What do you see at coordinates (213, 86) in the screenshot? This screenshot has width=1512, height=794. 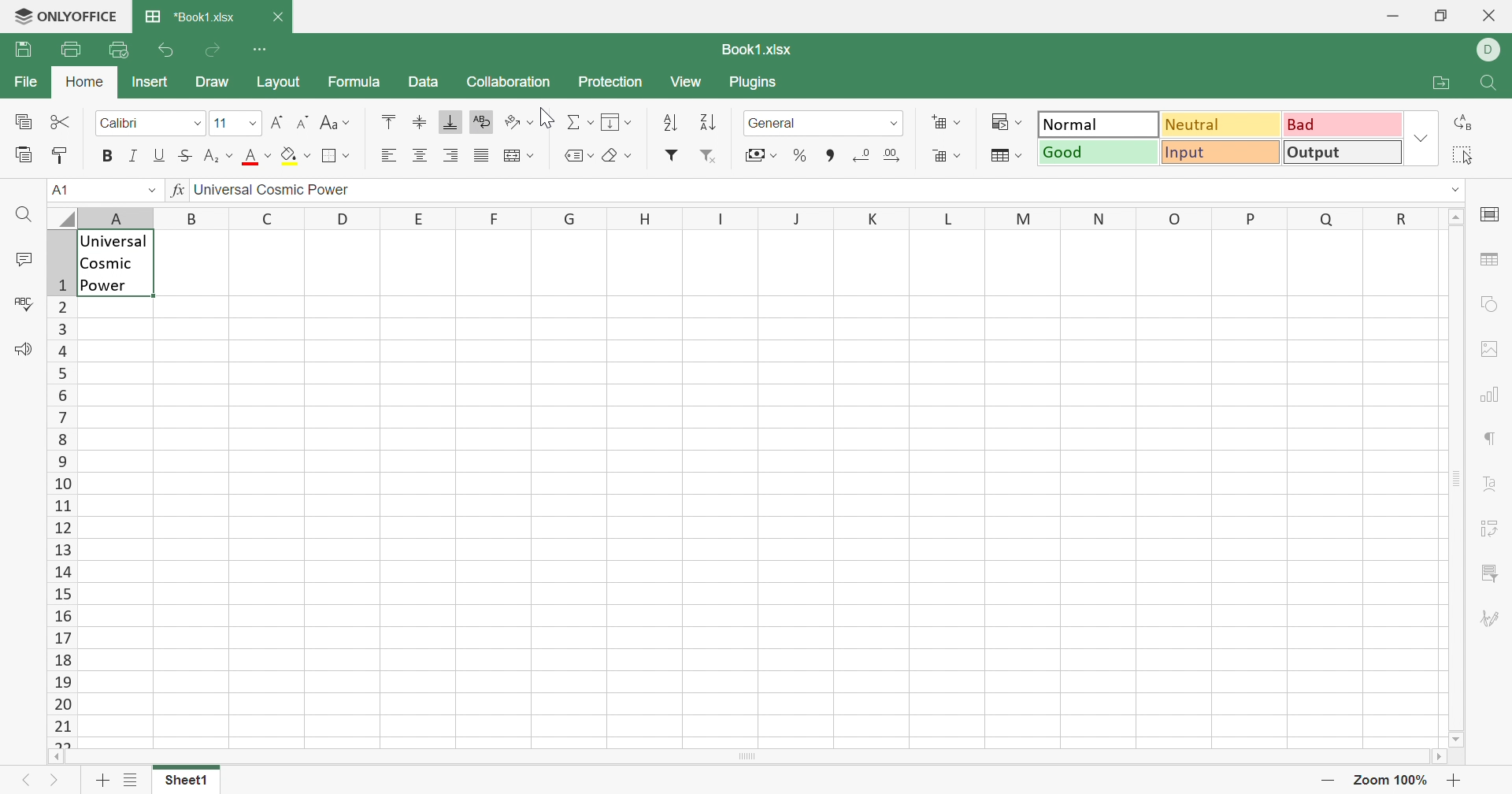 I see `Draw` at bounding box center [213, 86].